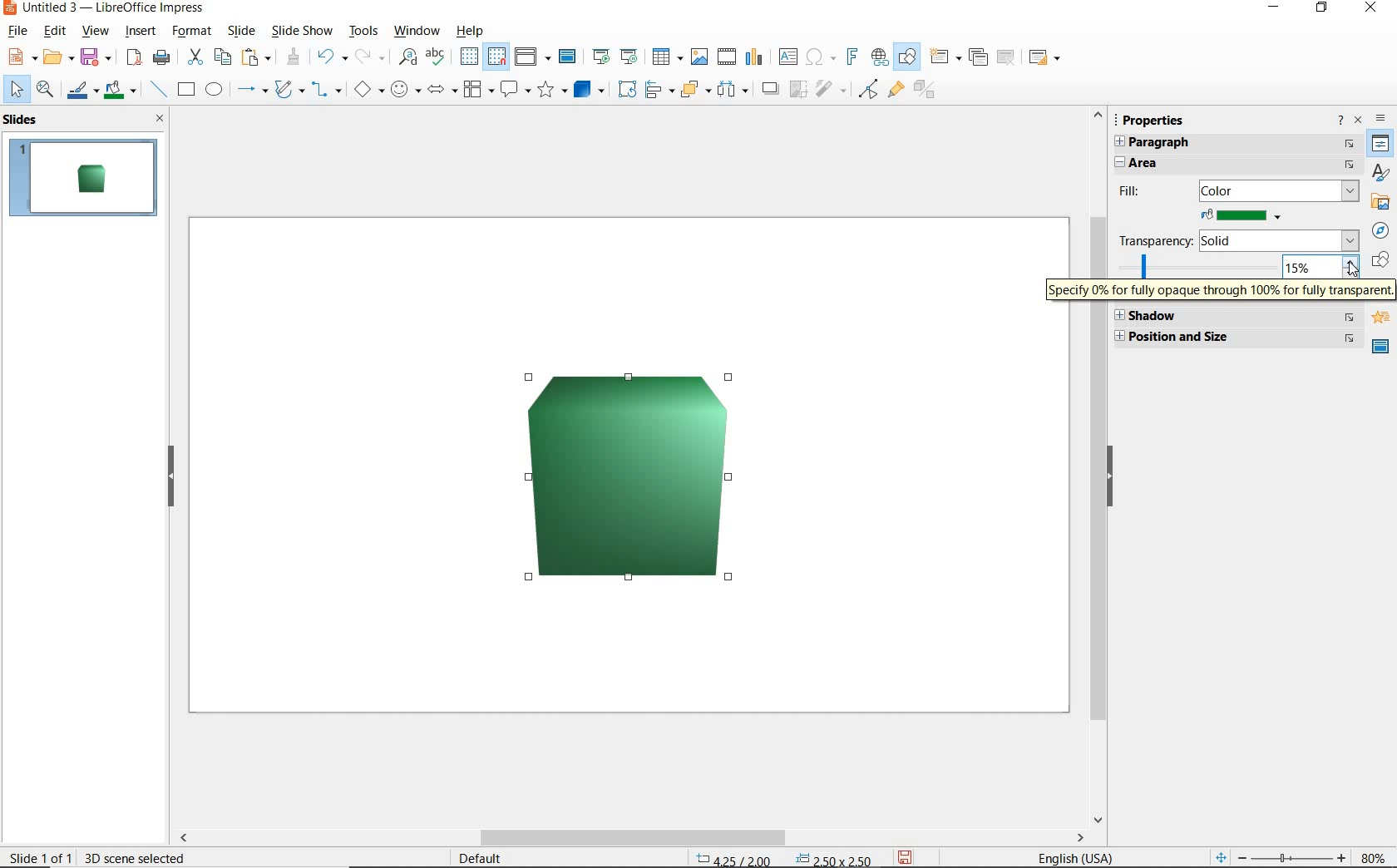 Image resolution: width=1397 pixels, height=868 pixels. What do you see at coordinates (1321, 9) in the screenshot?
I see `RESTORE DOWN` at bounding box center [1321, 9].